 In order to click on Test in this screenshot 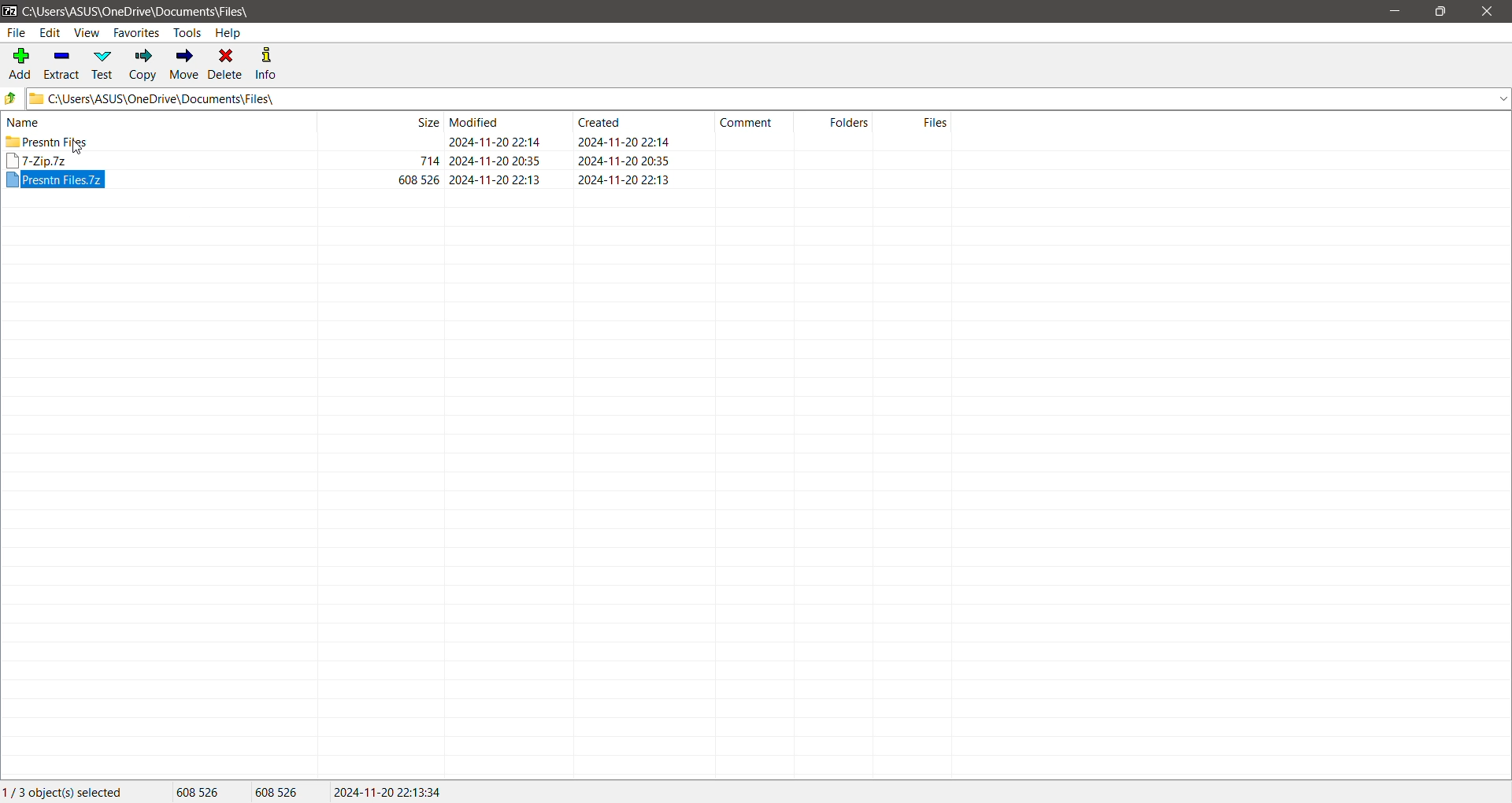, I will do `click(105, 65)`.